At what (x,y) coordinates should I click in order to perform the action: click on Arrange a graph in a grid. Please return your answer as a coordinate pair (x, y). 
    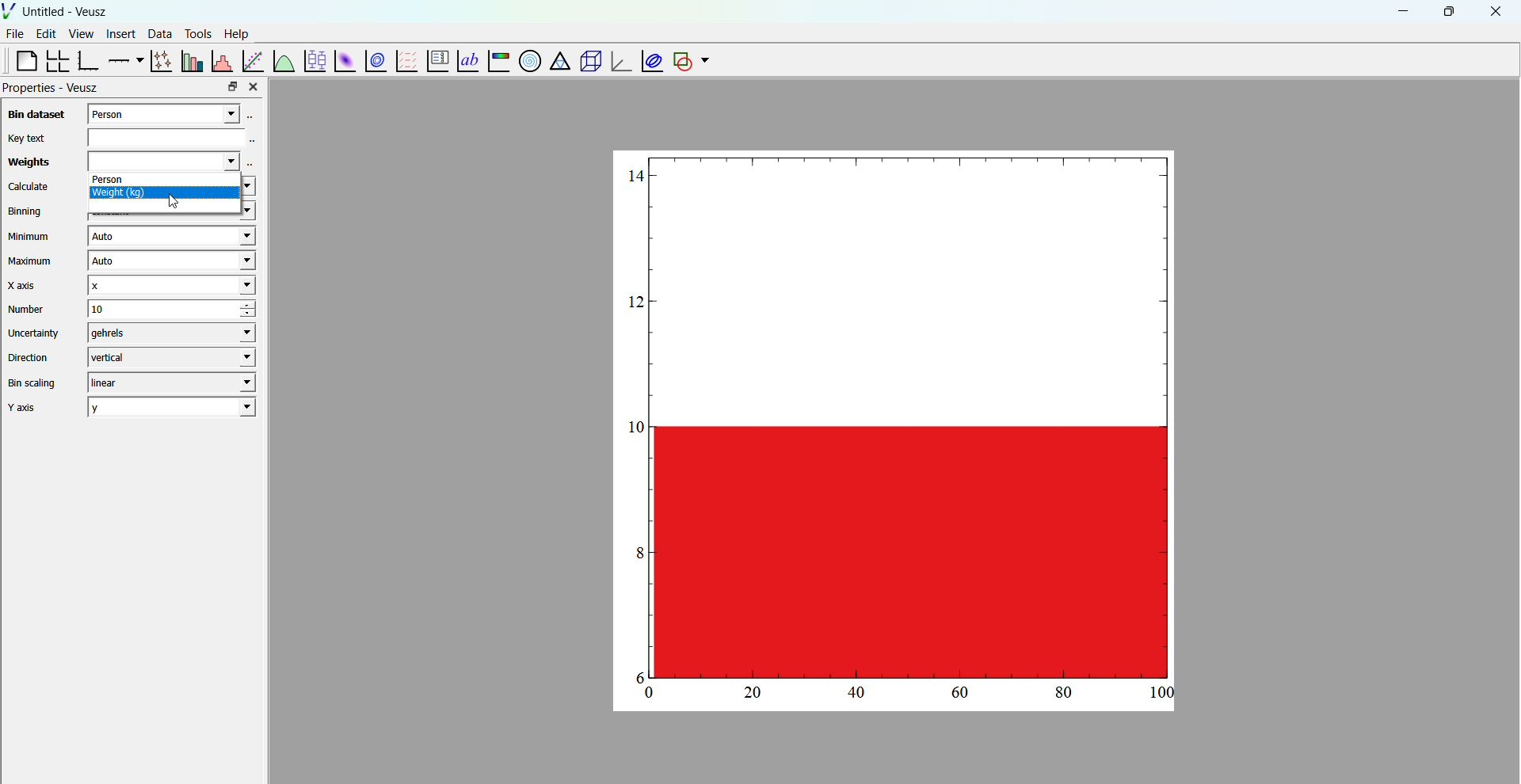
    Looking at the image, I should click on (56, 62).